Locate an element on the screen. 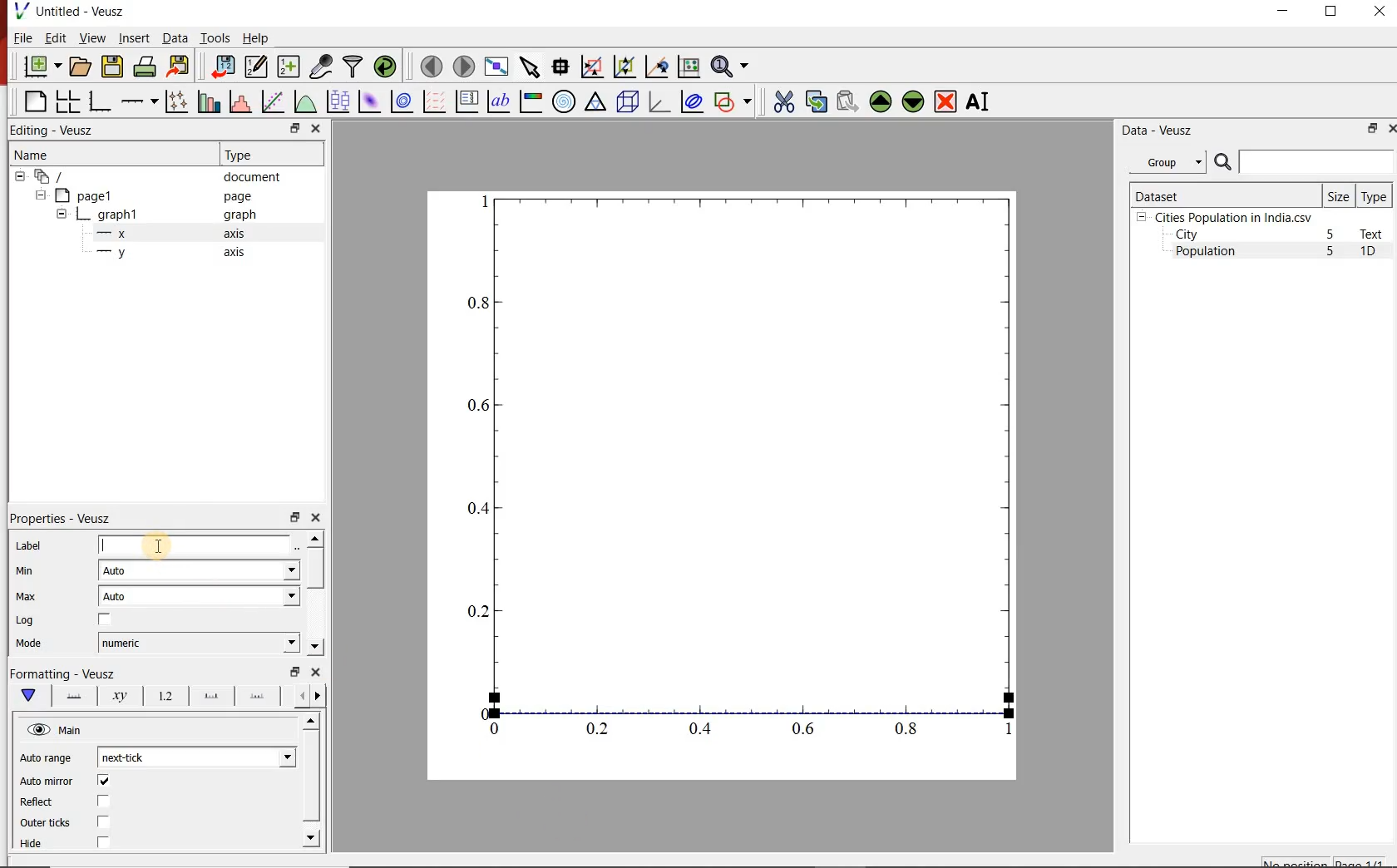  File is located at coordinates (23, 37).